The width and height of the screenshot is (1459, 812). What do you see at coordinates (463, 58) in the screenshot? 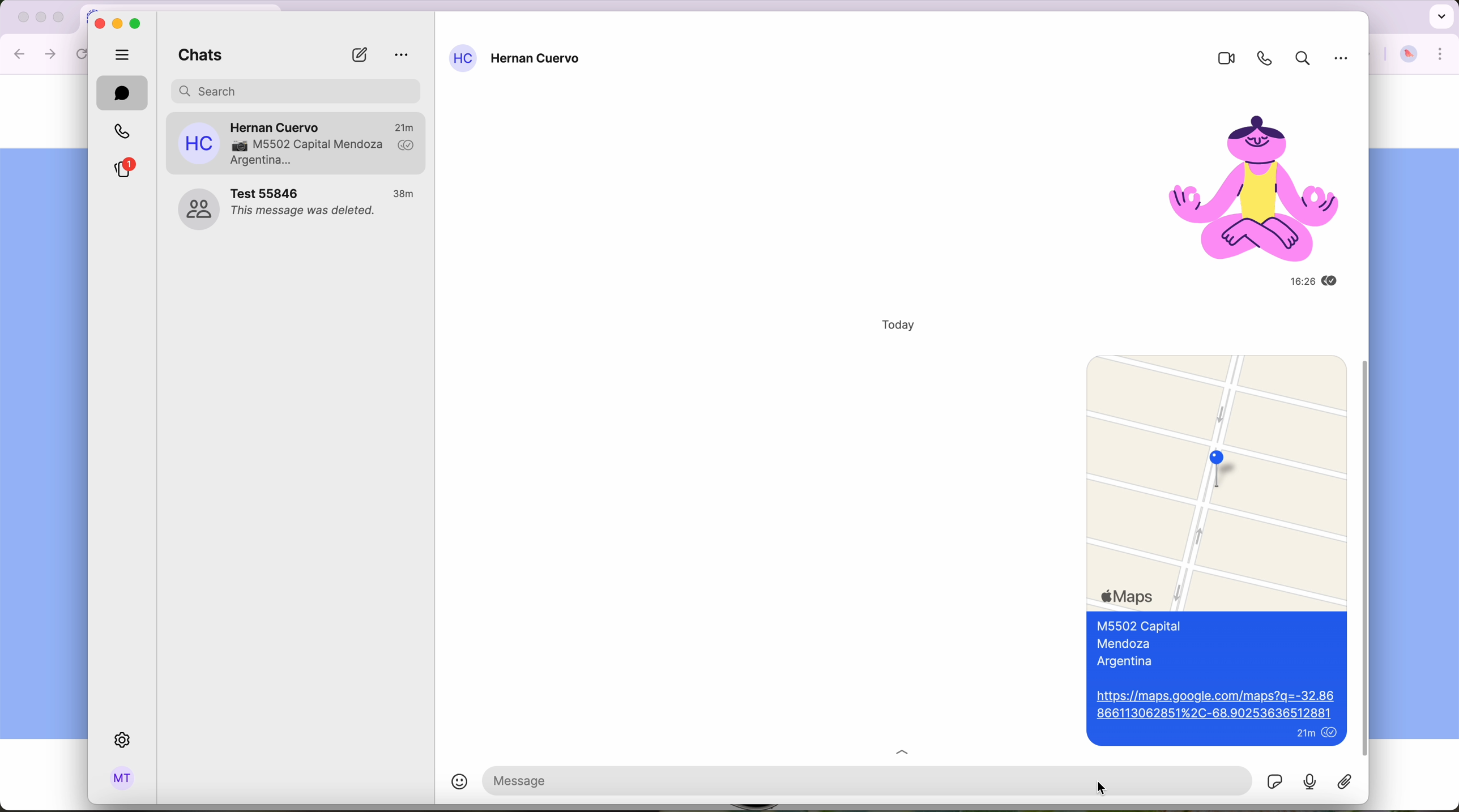
I see `profile icon` at bounding box center [463, 58].